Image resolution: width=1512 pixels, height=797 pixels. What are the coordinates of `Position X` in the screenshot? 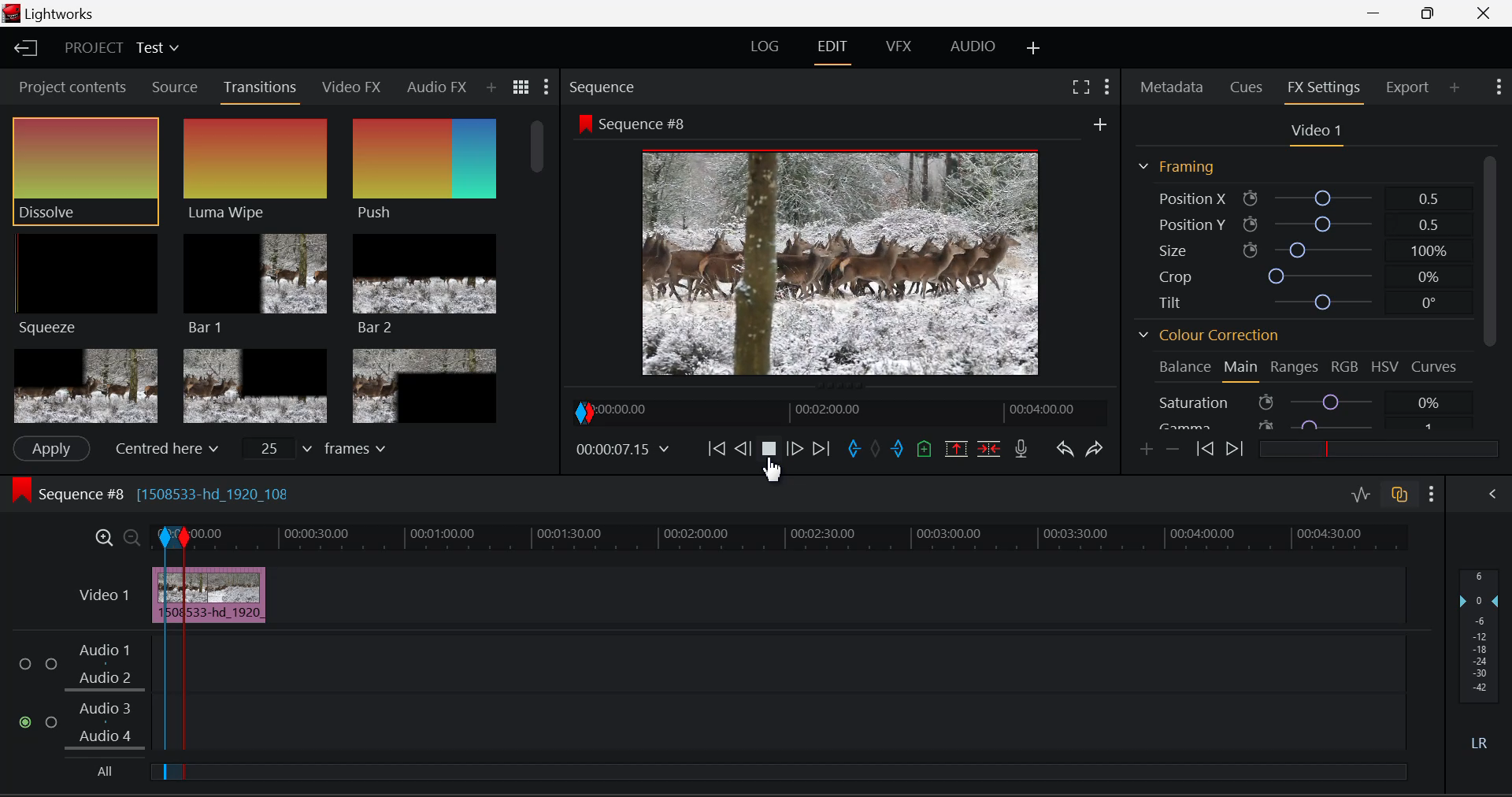 It's located at (1296, 196).